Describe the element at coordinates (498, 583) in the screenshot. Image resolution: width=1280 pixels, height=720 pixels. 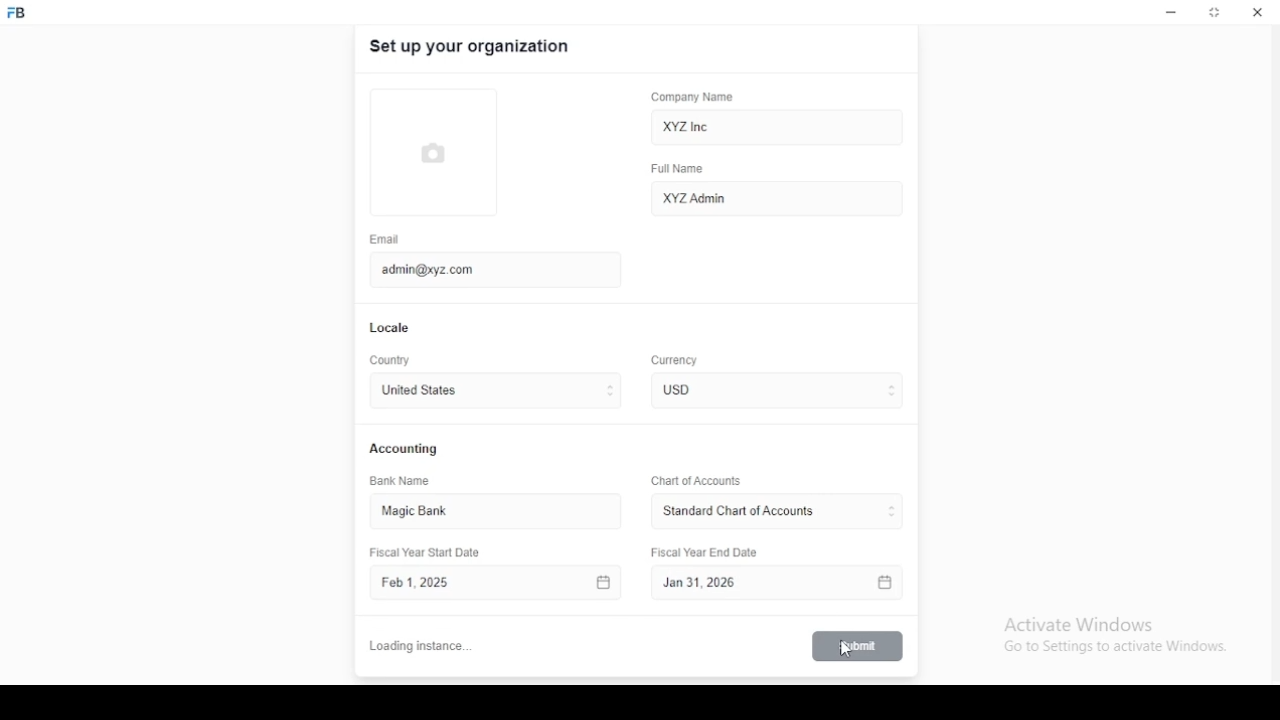
I see `Fiscal Year Start Date` at that location.